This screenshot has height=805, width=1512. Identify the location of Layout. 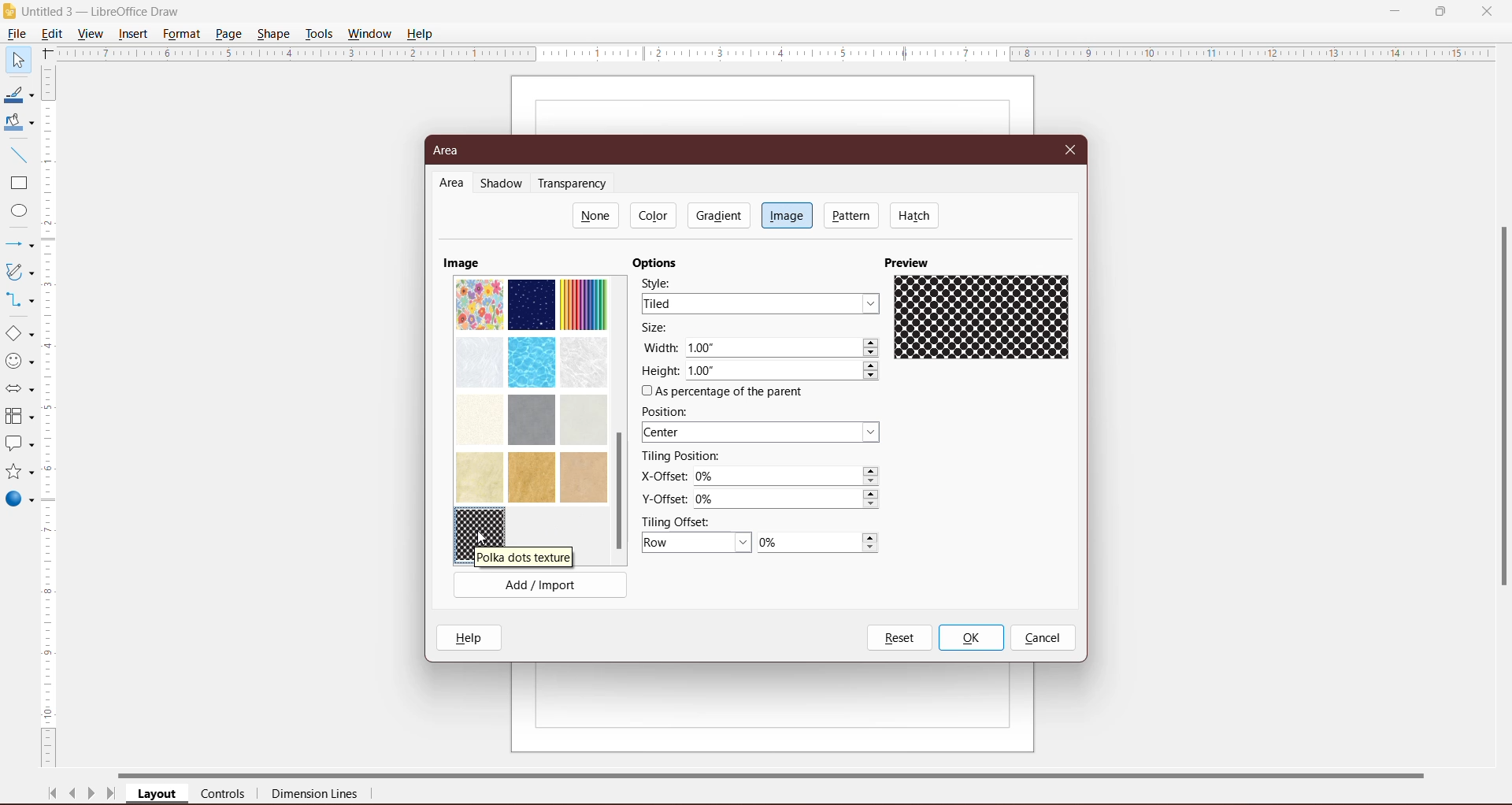
(158, 795).